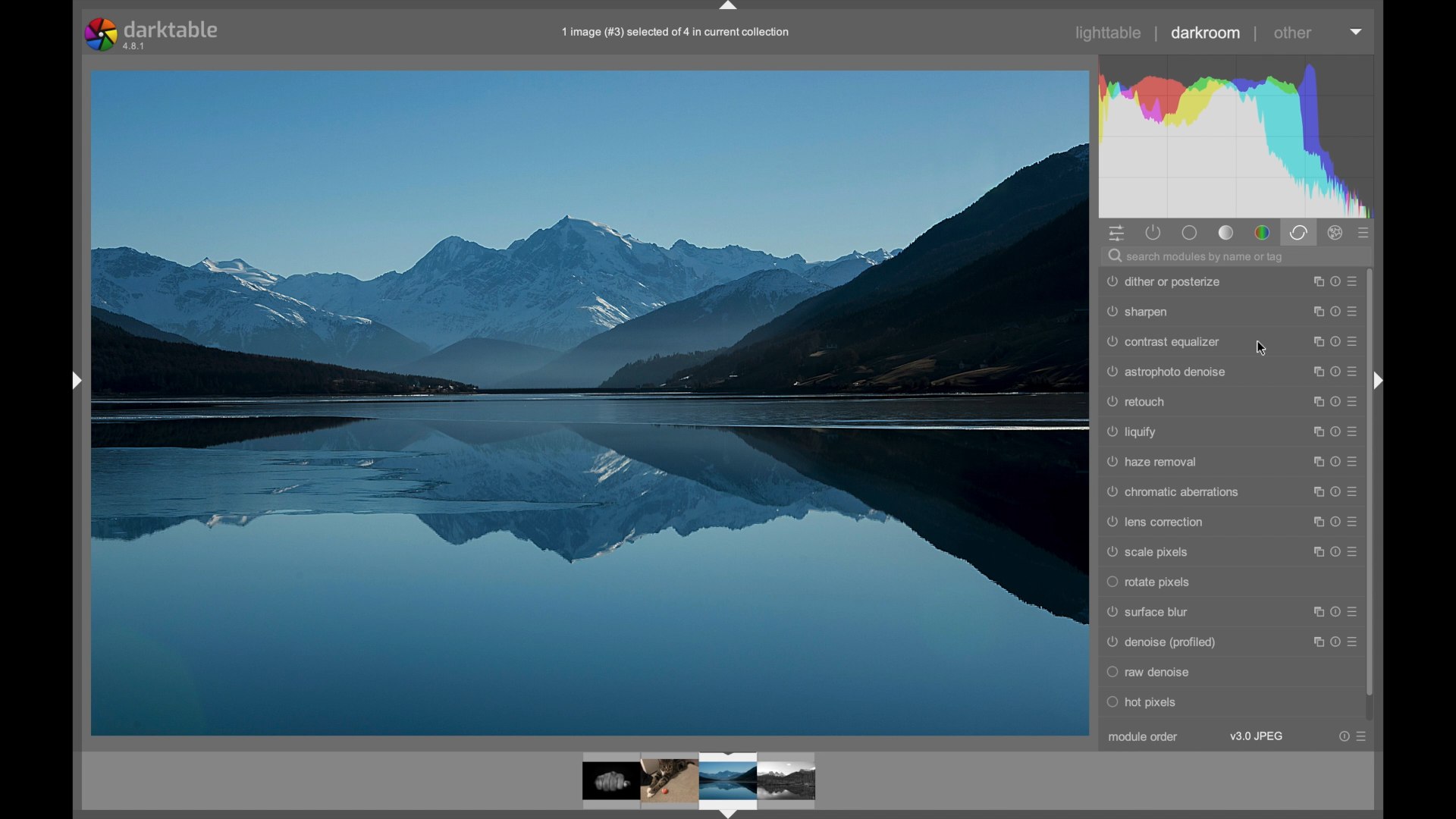 This screenshot has width=1456, height=819. I want to click on other, so click(1293, 33).